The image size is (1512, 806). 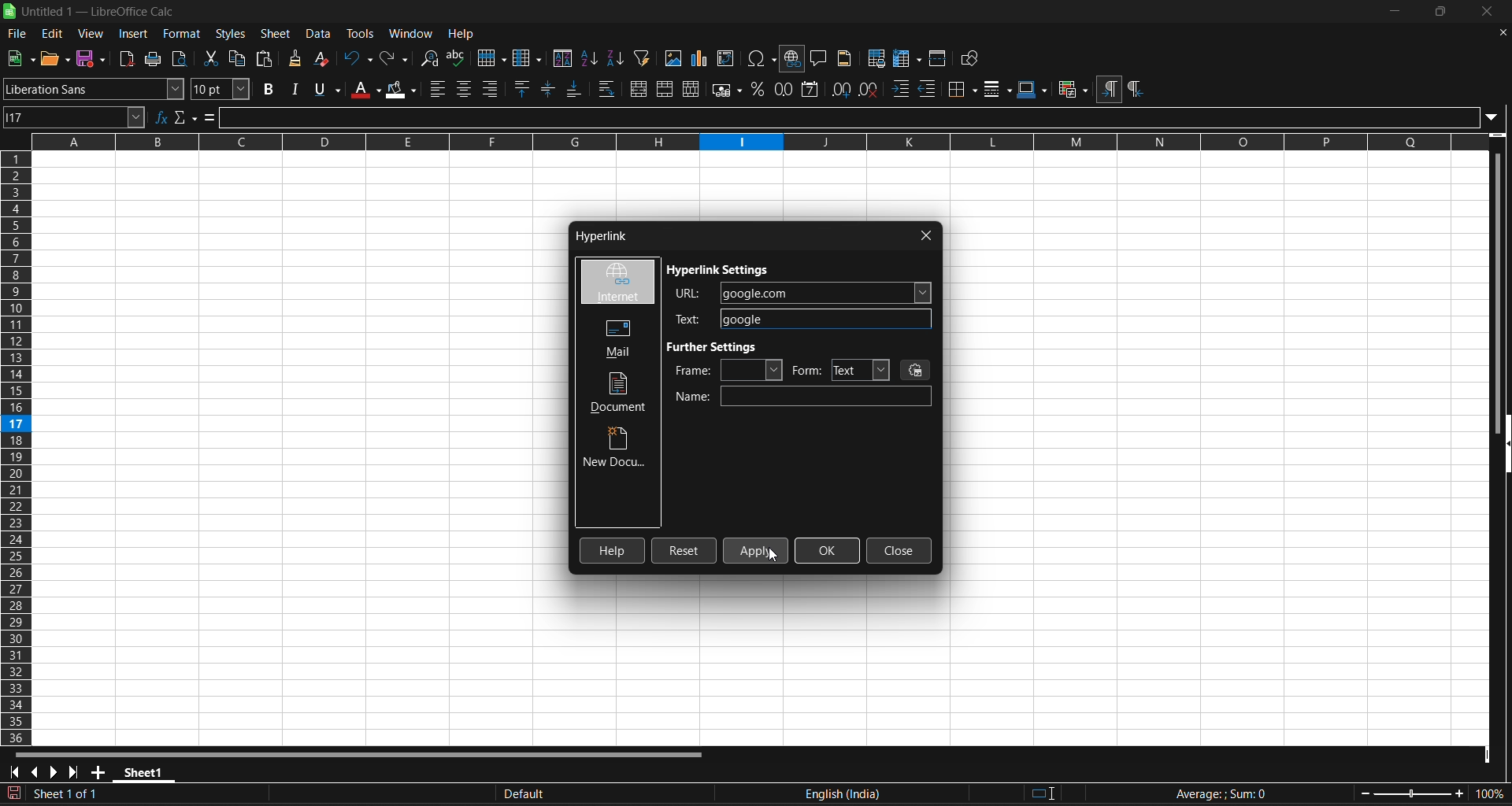 What do you see at coordinates (1396, 11) in the screenshot?
I see `minimize` at bounding box center [1396, 11].